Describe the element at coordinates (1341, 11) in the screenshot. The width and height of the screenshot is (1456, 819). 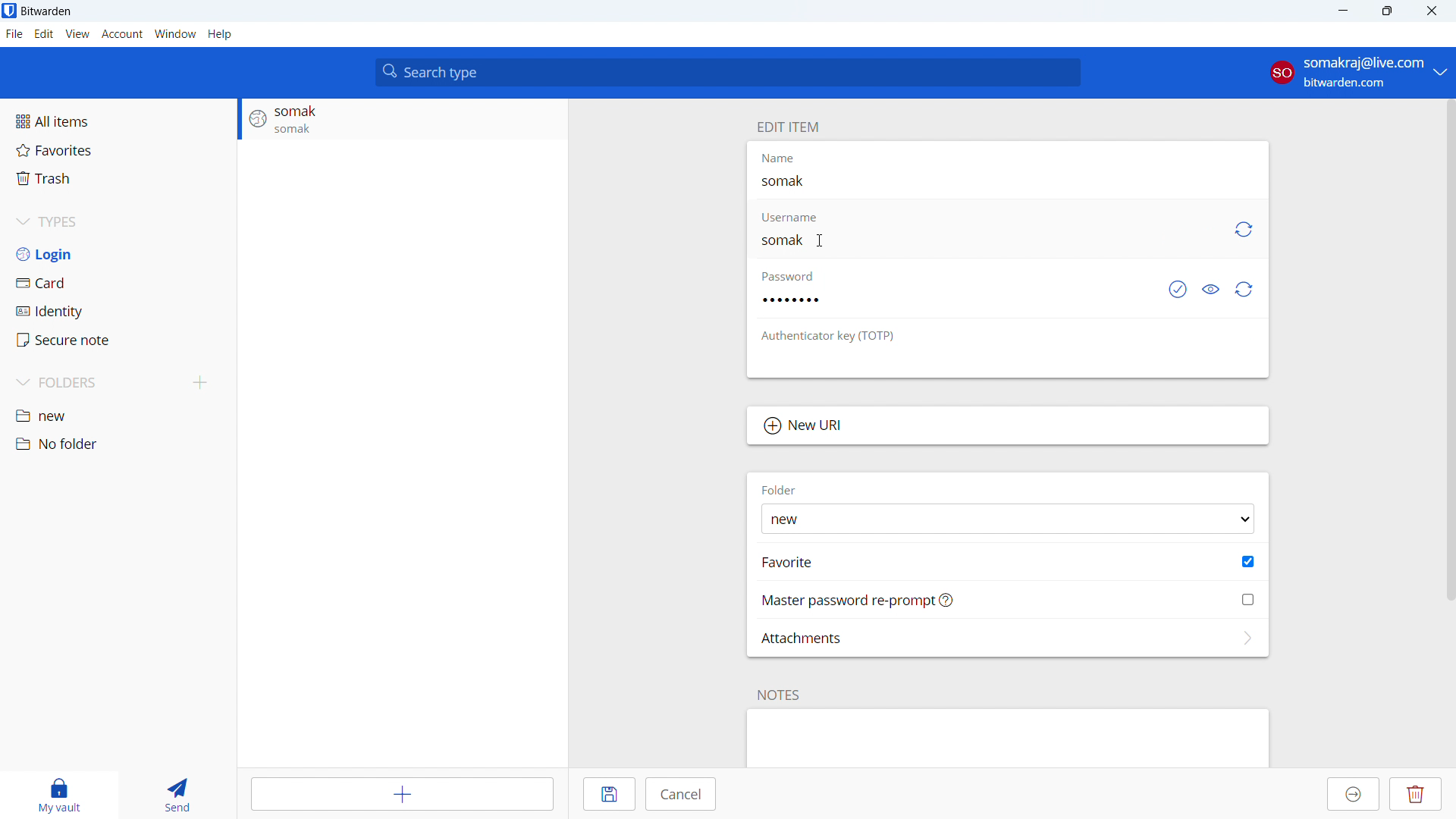
I see `minimize` at that location.